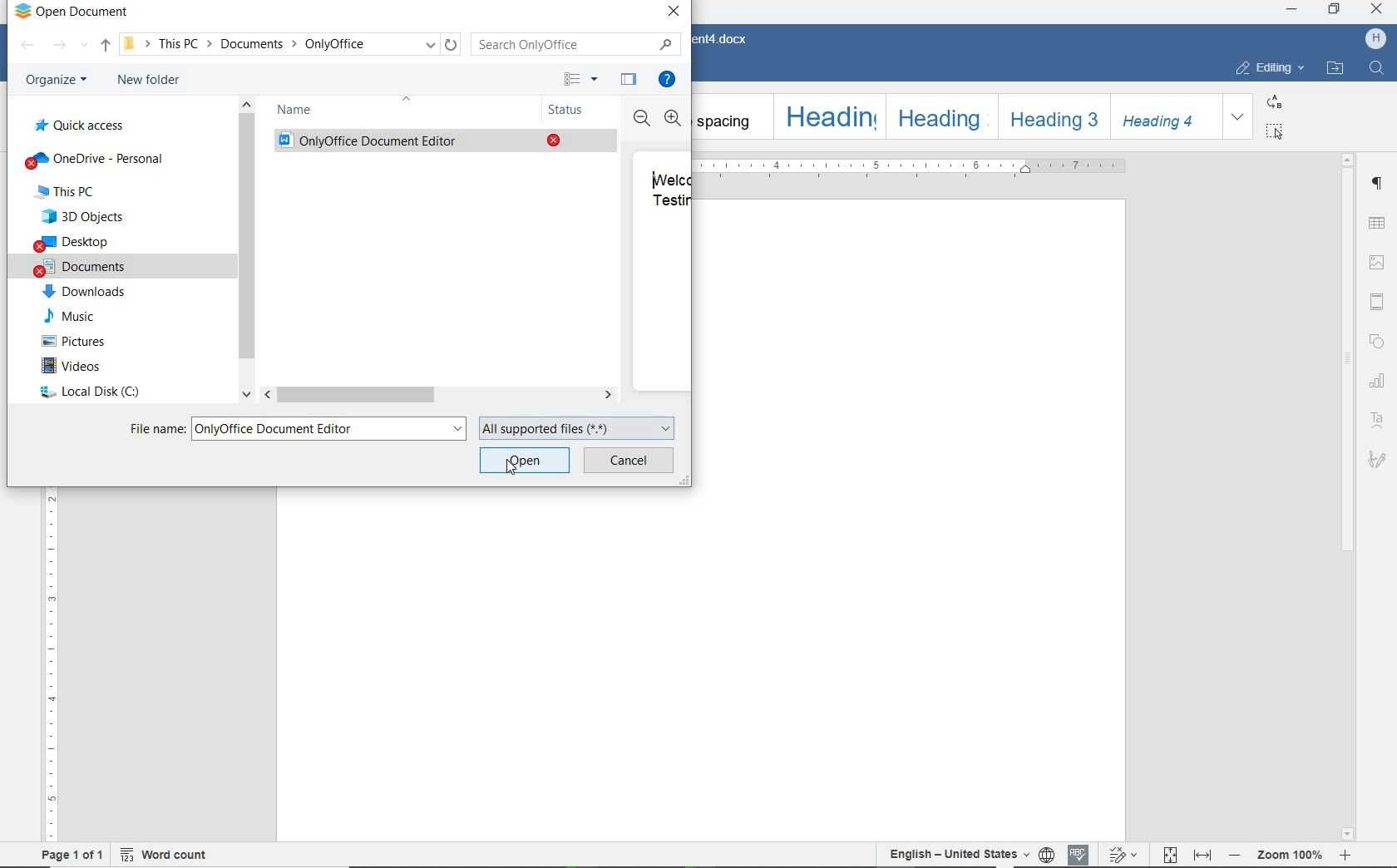  What do you see at coordinates (72, 243) in the screenshot?
I see `desktop` at bounding box center [72, 243].